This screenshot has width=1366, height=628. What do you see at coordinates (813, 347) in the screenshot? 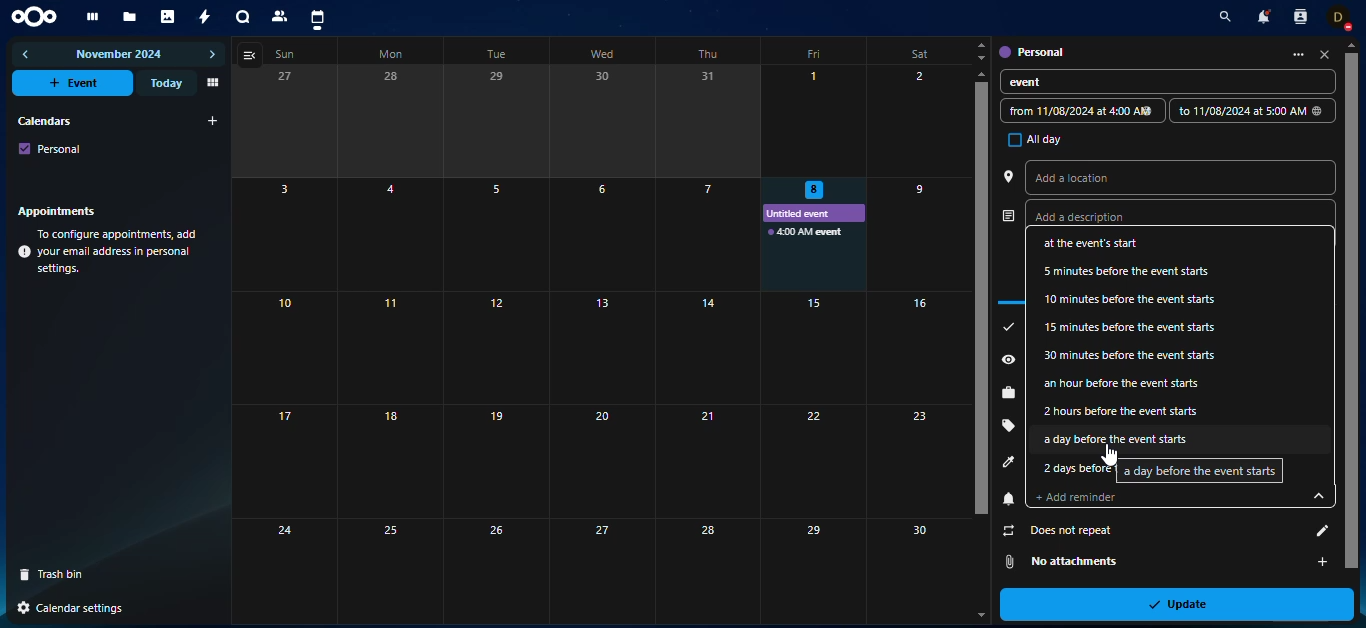
I see `15` at bounding box center [813, 347].